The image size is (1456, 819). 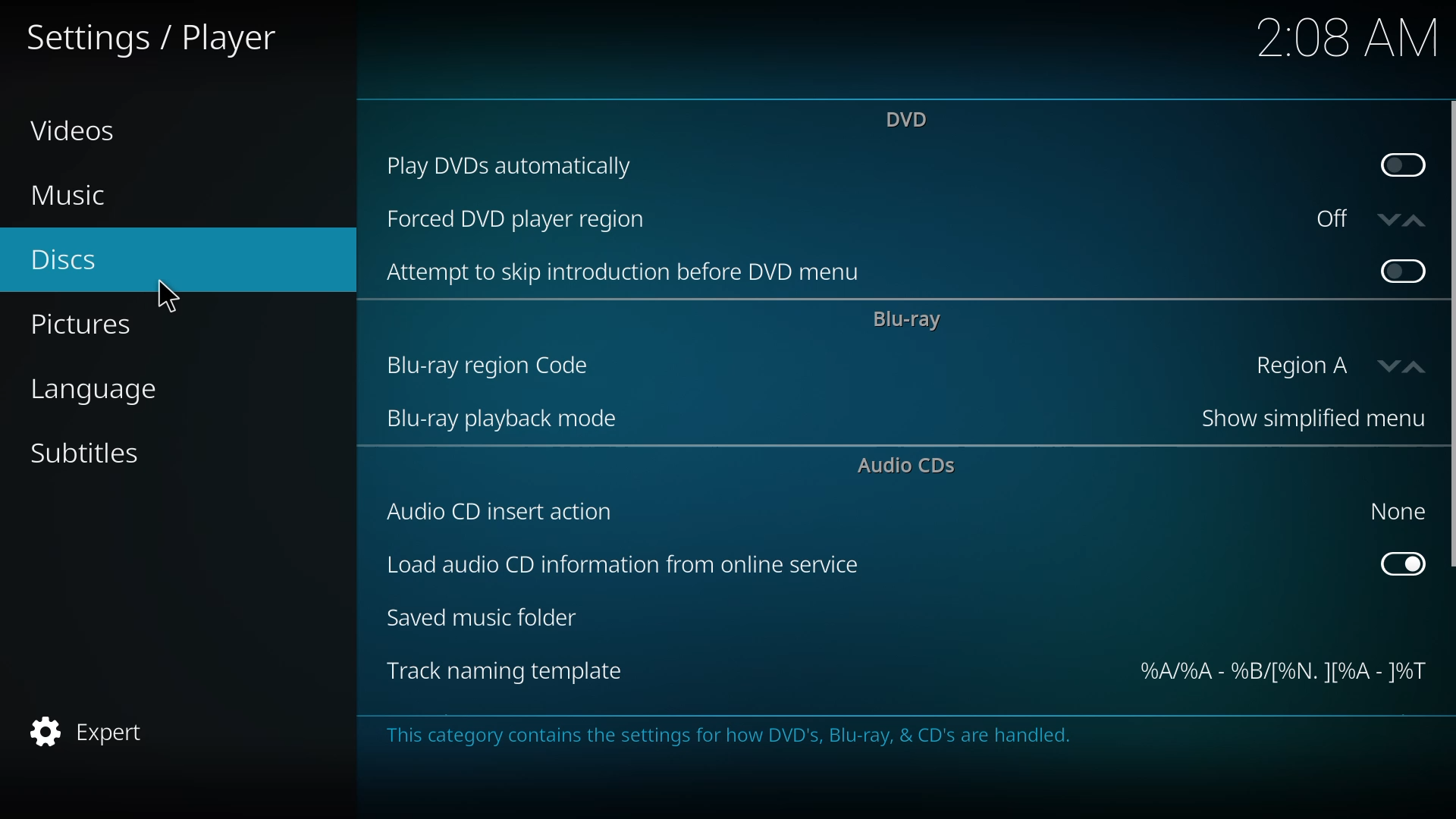 I want to click on expert, so click(x=92, y=731).